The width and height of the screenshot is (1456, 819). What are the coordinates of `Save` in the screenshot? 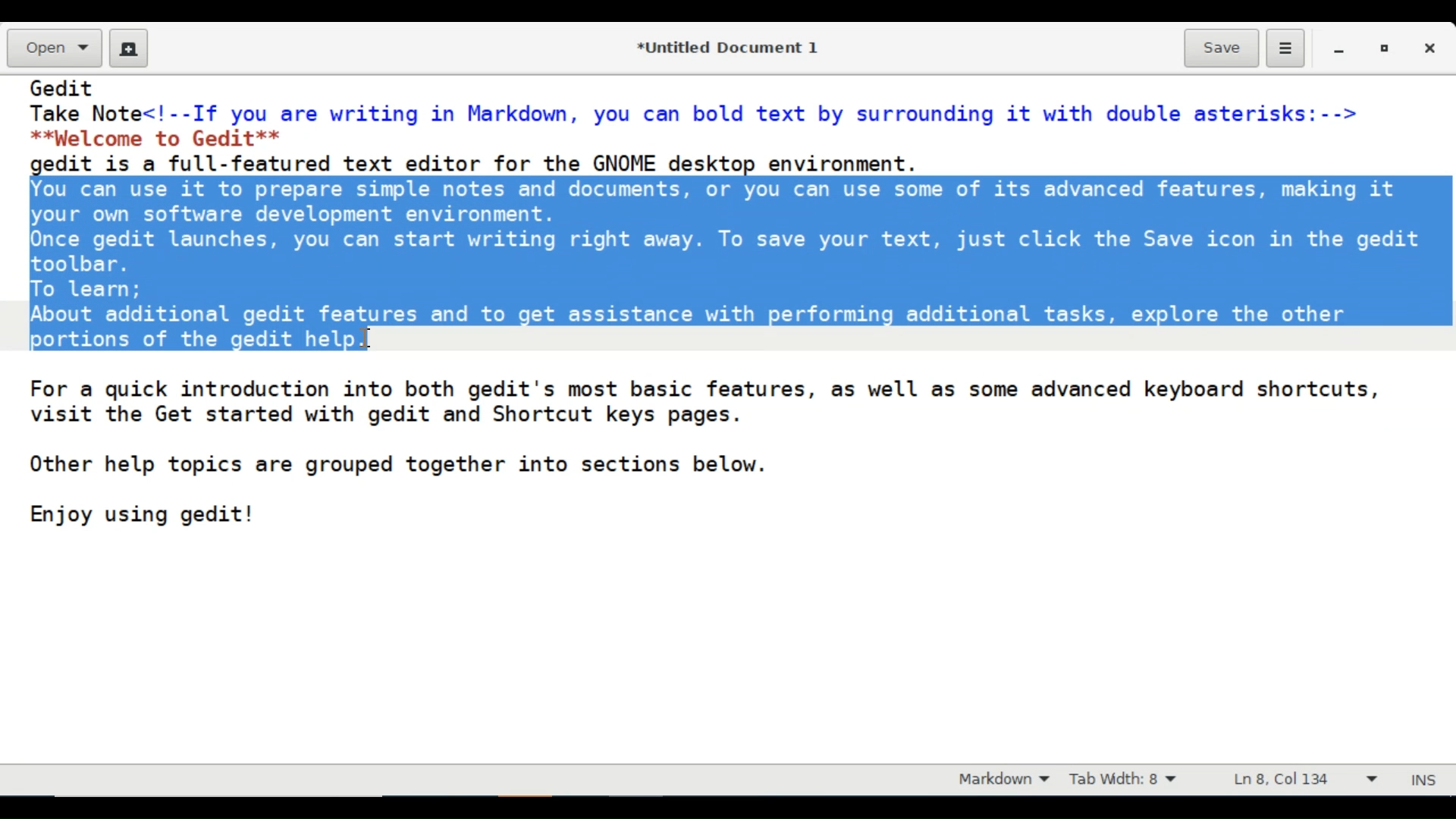 It's located at (1222, 47).